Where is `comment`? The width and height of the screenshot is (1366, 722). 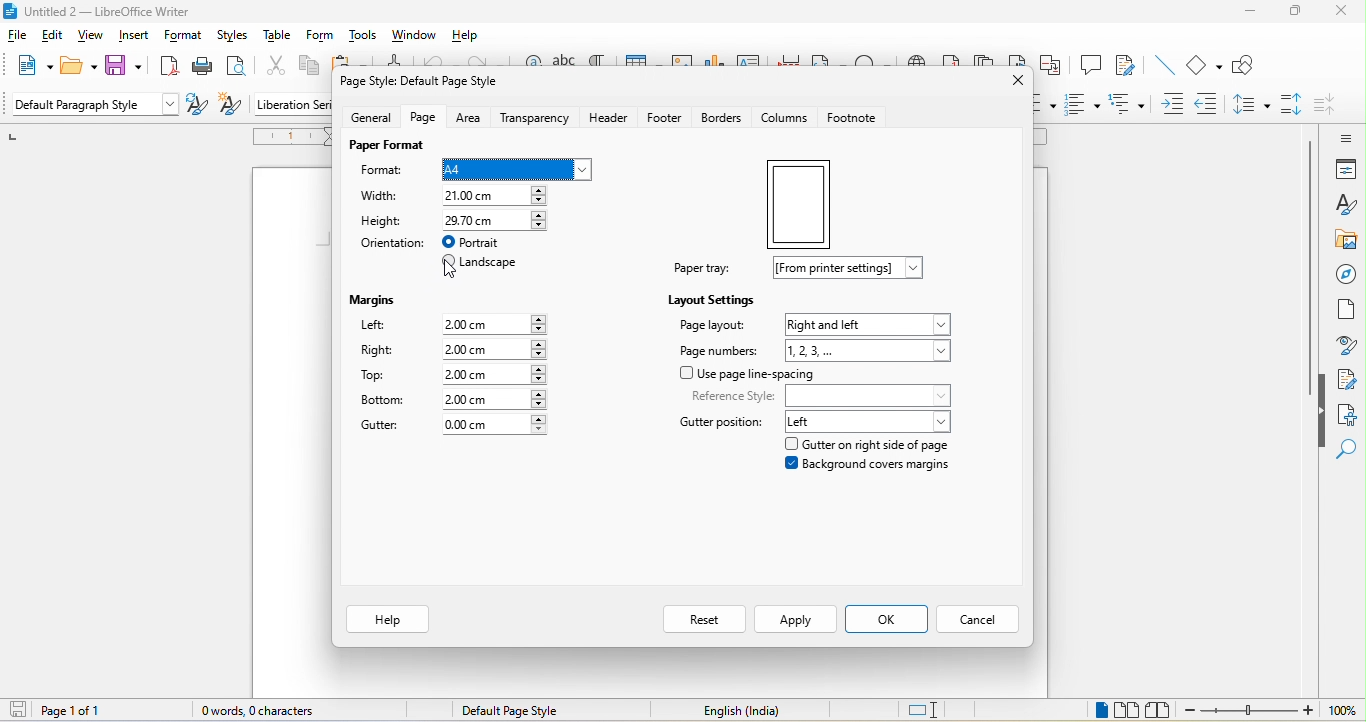
comment is located at coordinates (1088, 67).